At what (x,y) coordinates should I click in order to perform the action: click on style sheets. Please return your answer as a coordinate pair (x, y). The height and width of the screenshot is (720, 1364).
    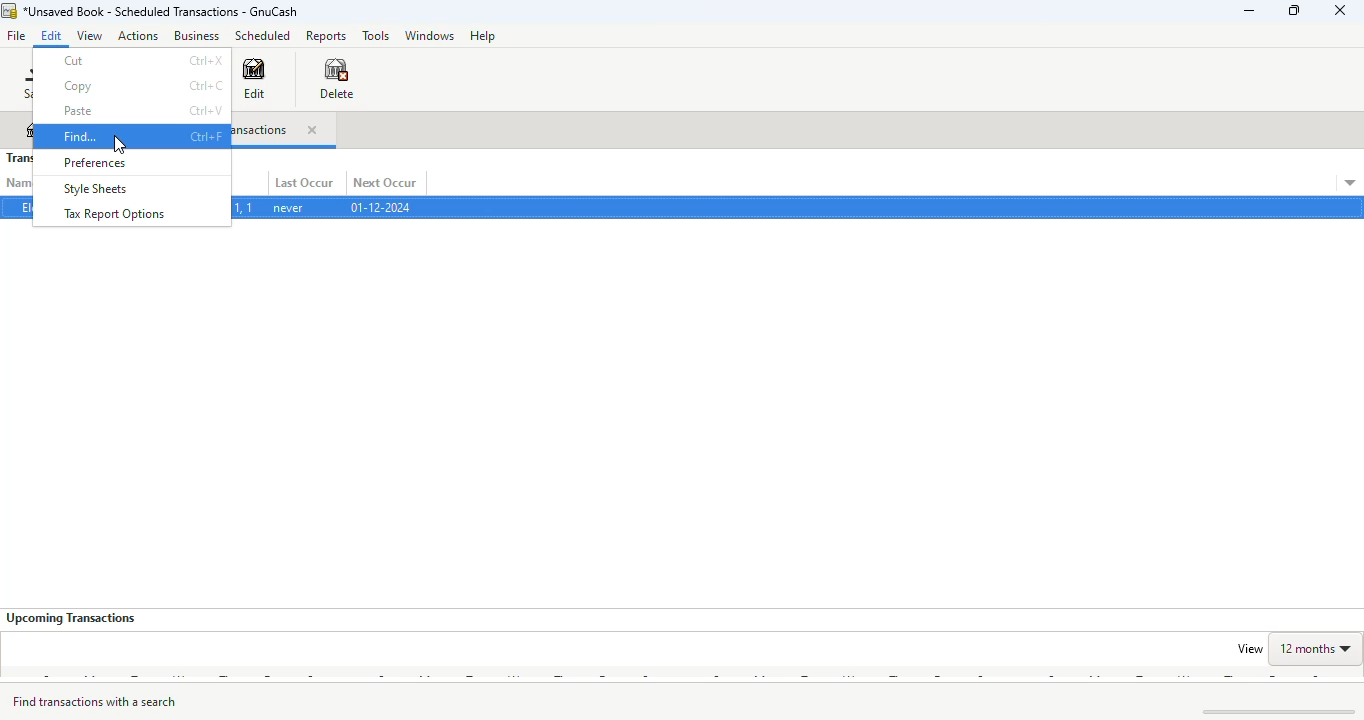
    Looking at the image, I should click on (94, 189).